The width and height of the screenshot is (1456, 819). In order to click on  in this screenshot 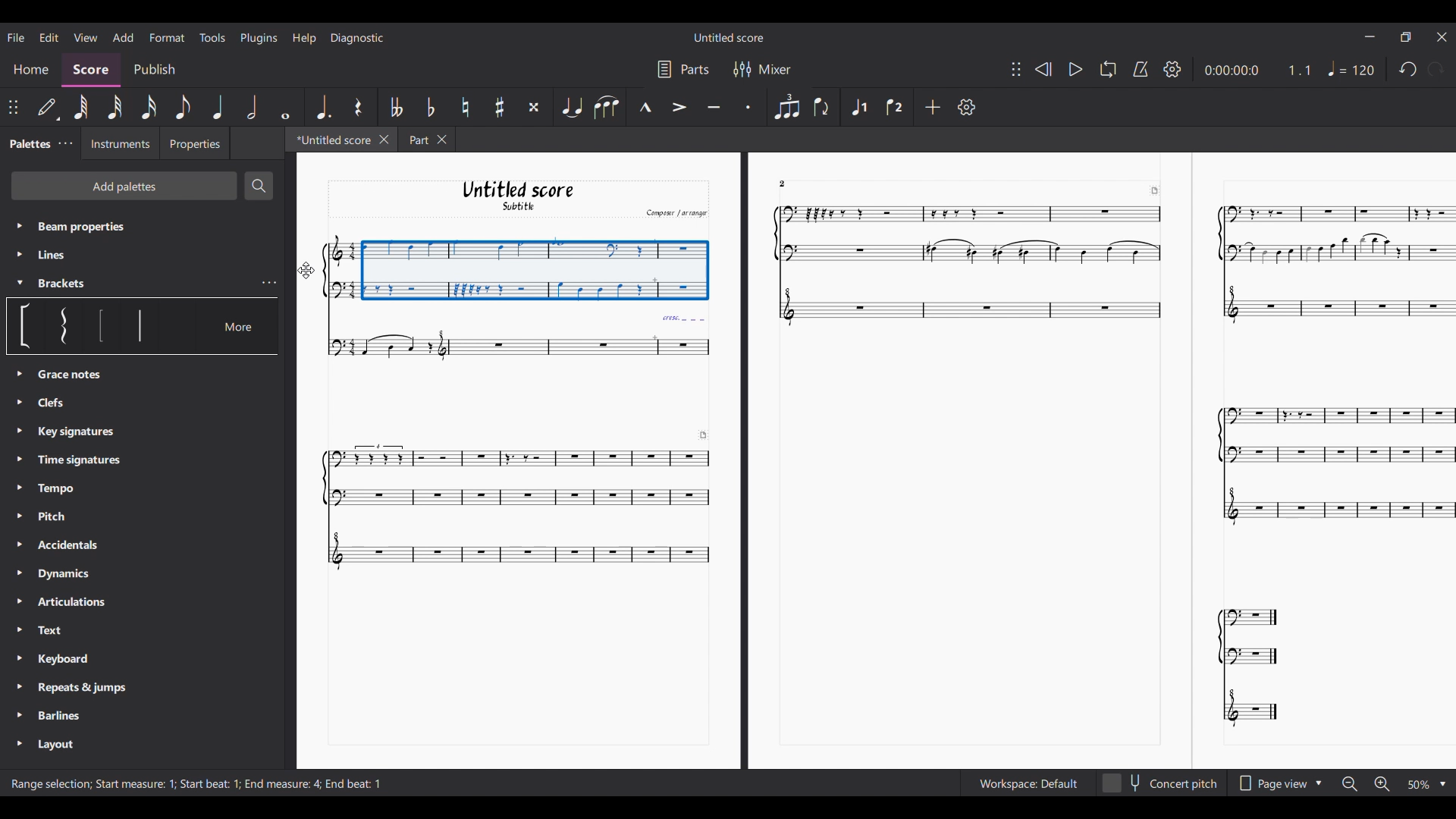, I will do `click(16, 745)`.